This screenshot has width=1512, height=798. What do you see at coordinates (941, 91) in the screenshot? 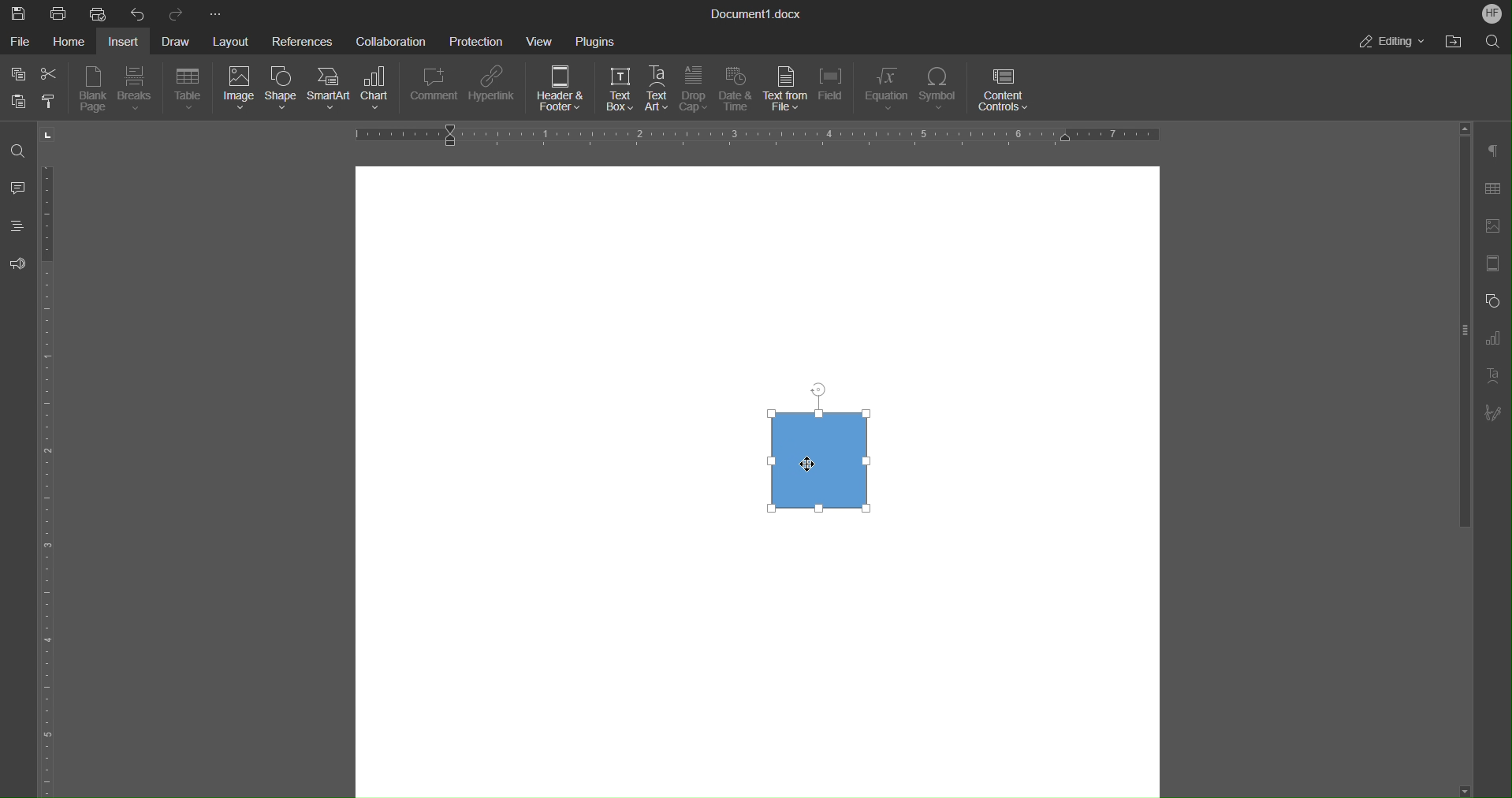
I see `Symbol` at bounding box center [941, 91].